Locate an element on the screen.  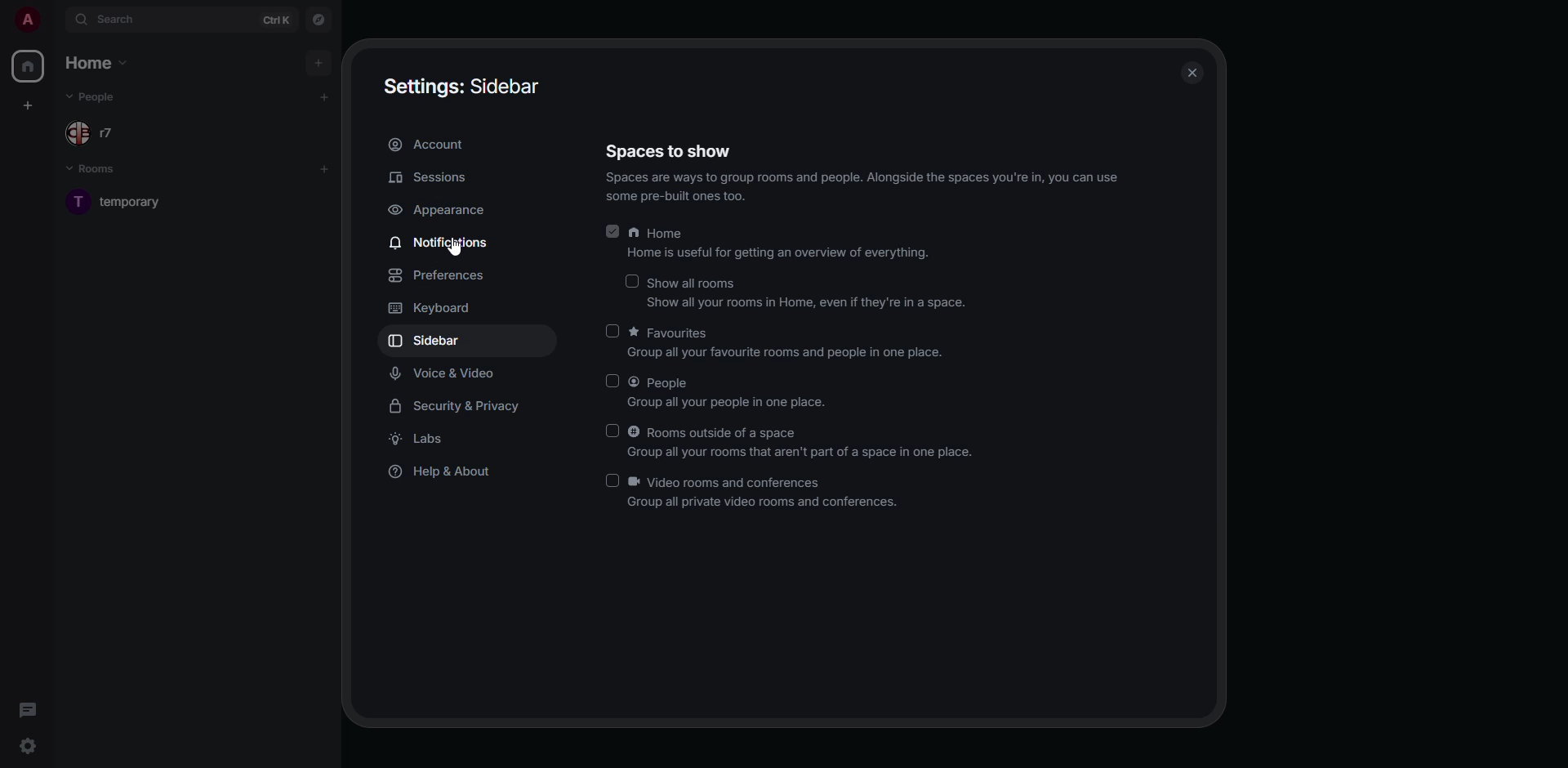
add is located at coordinates (319, 64).